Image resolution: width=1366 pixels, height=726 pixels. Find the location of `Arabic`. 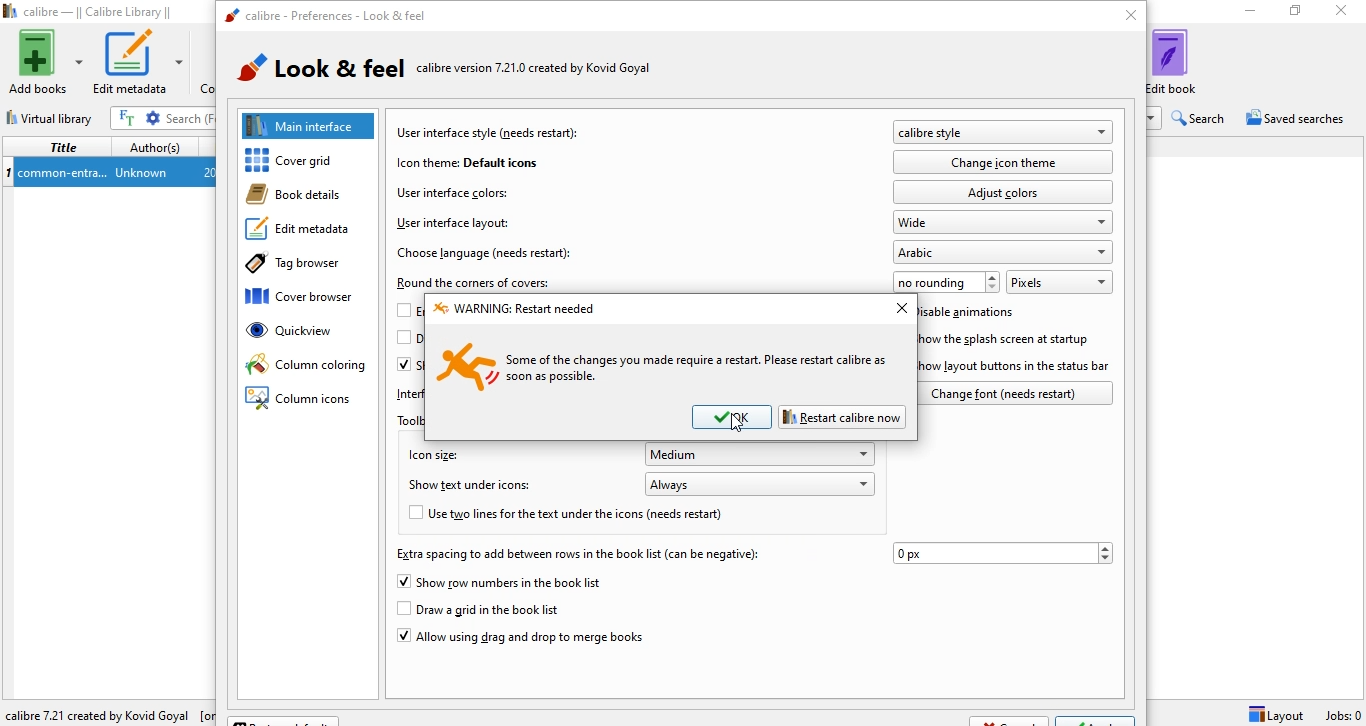

Arabic is located at coordinates (1005, 252).